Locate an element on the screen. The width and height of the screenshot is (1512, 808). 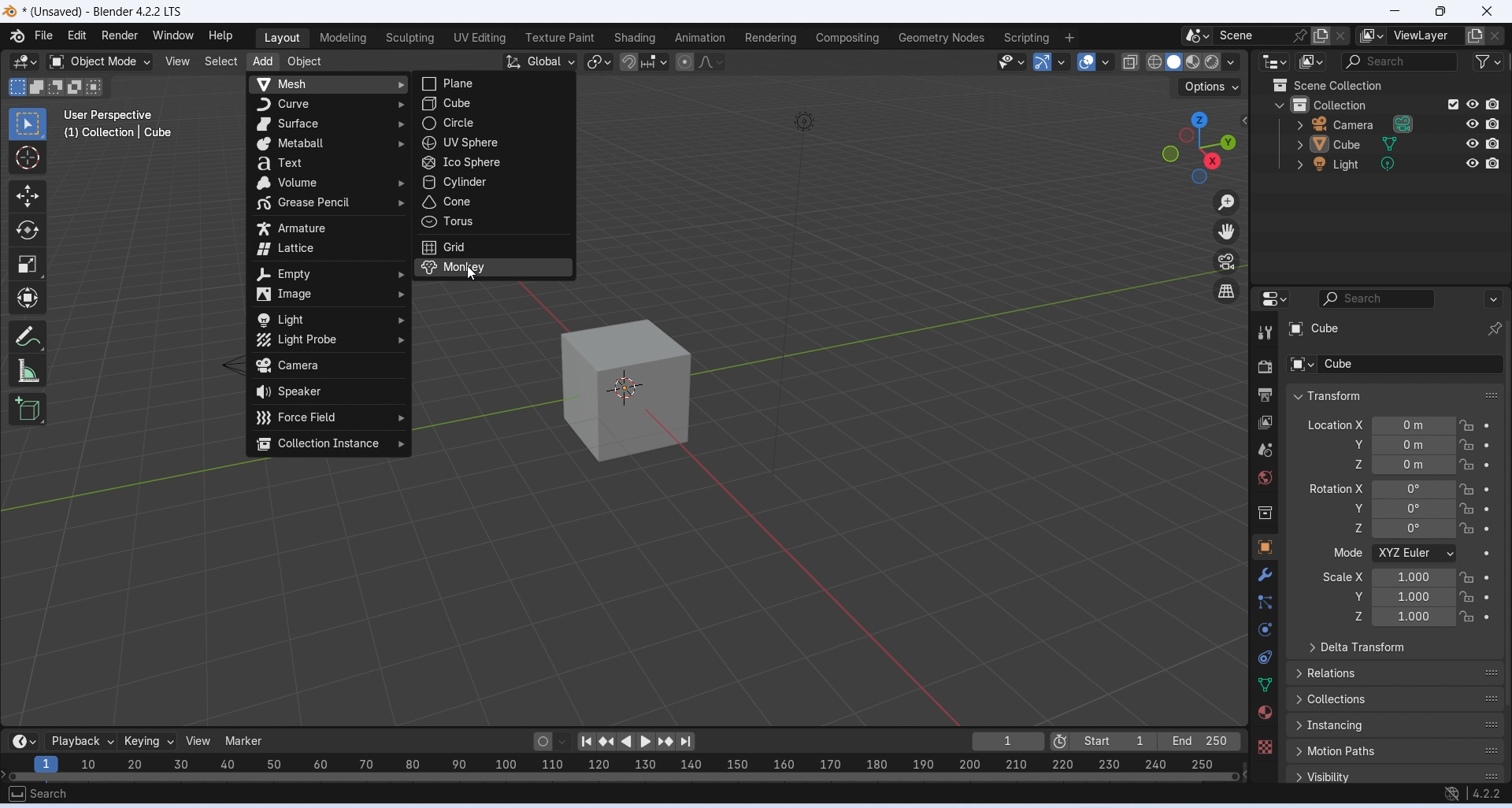
render is located at coordinates (1265, 369).